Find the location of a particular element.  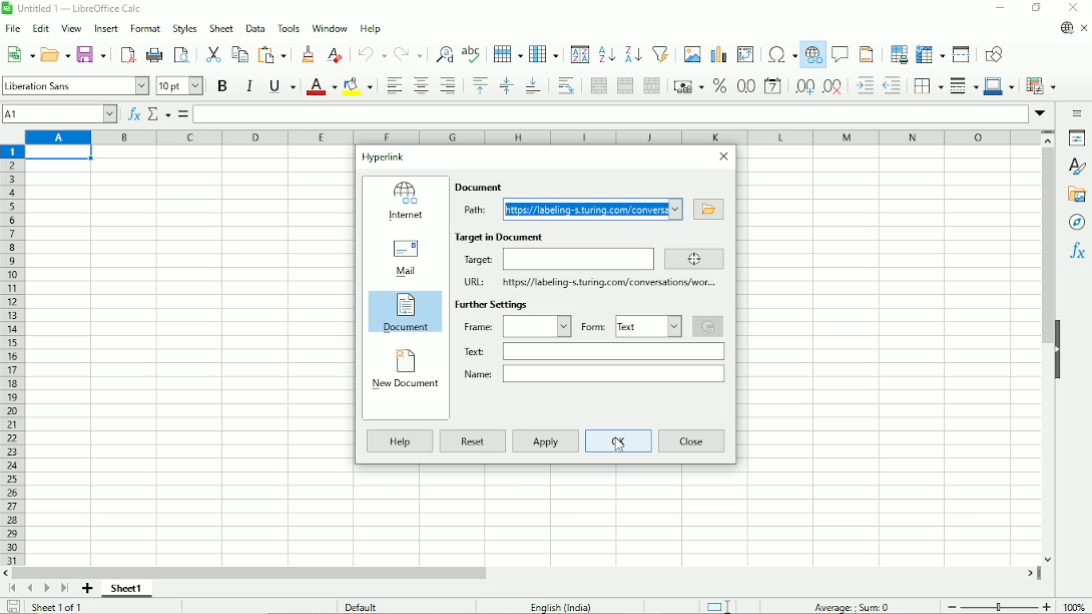

Export directly as PDF is located at coordinates (126, 53).